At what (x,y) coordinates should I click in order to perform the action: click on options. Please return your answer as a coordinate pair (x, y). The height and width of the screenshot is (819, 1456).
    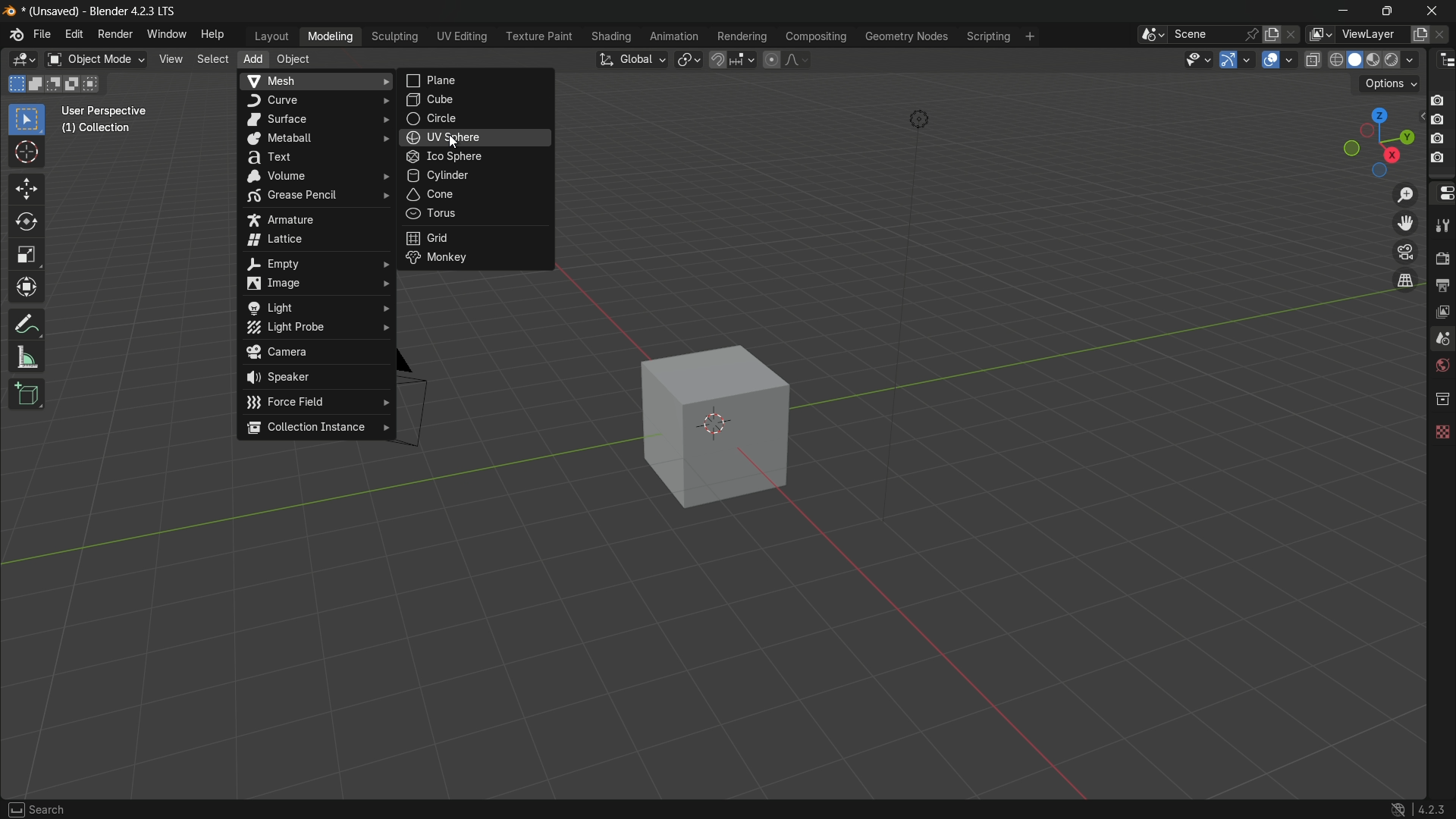
    Looking at the image, I should click on (1389, 83).